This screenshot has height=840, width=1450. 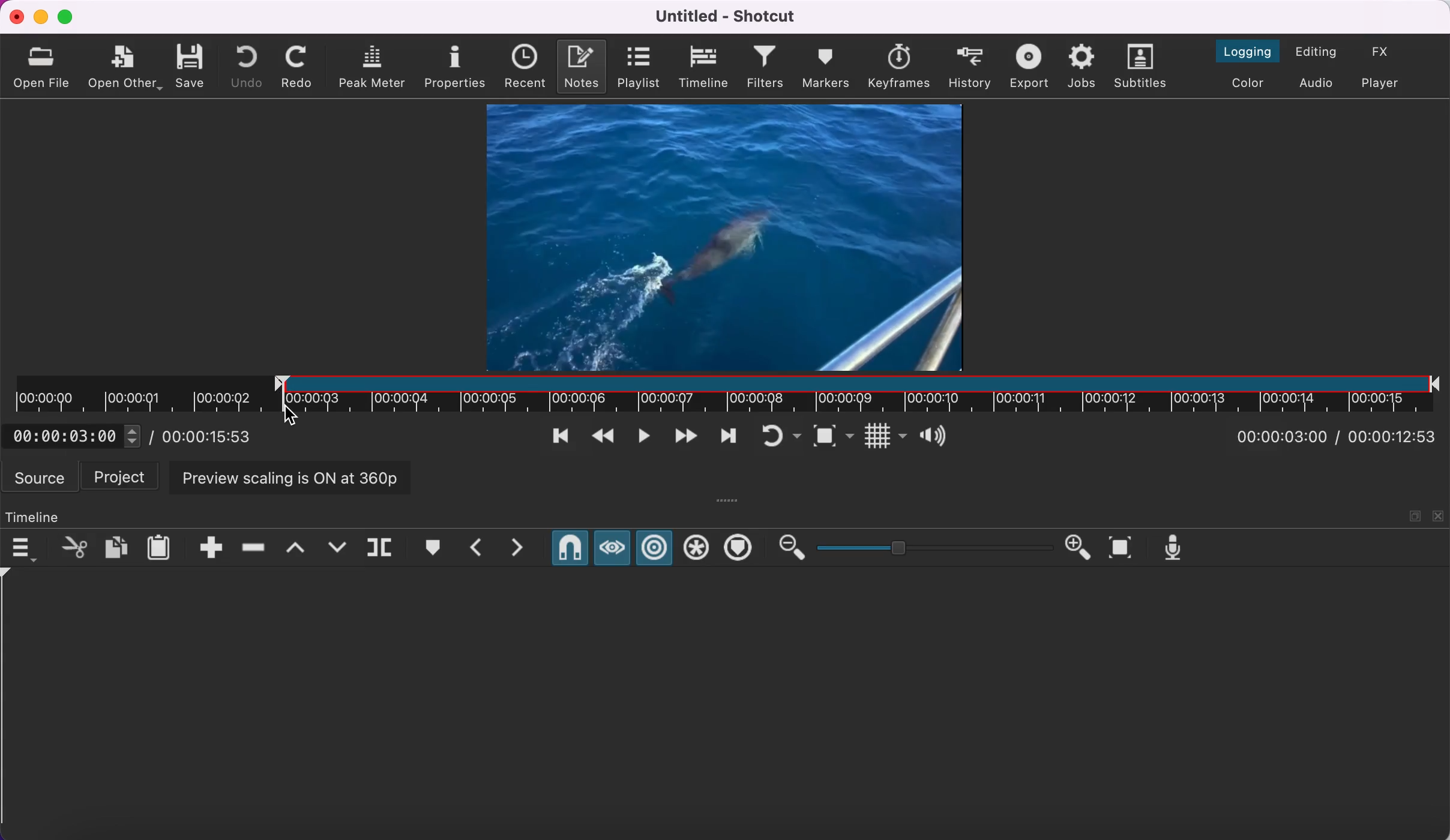 I want to click on zoom out, so click(x=790, y=548).